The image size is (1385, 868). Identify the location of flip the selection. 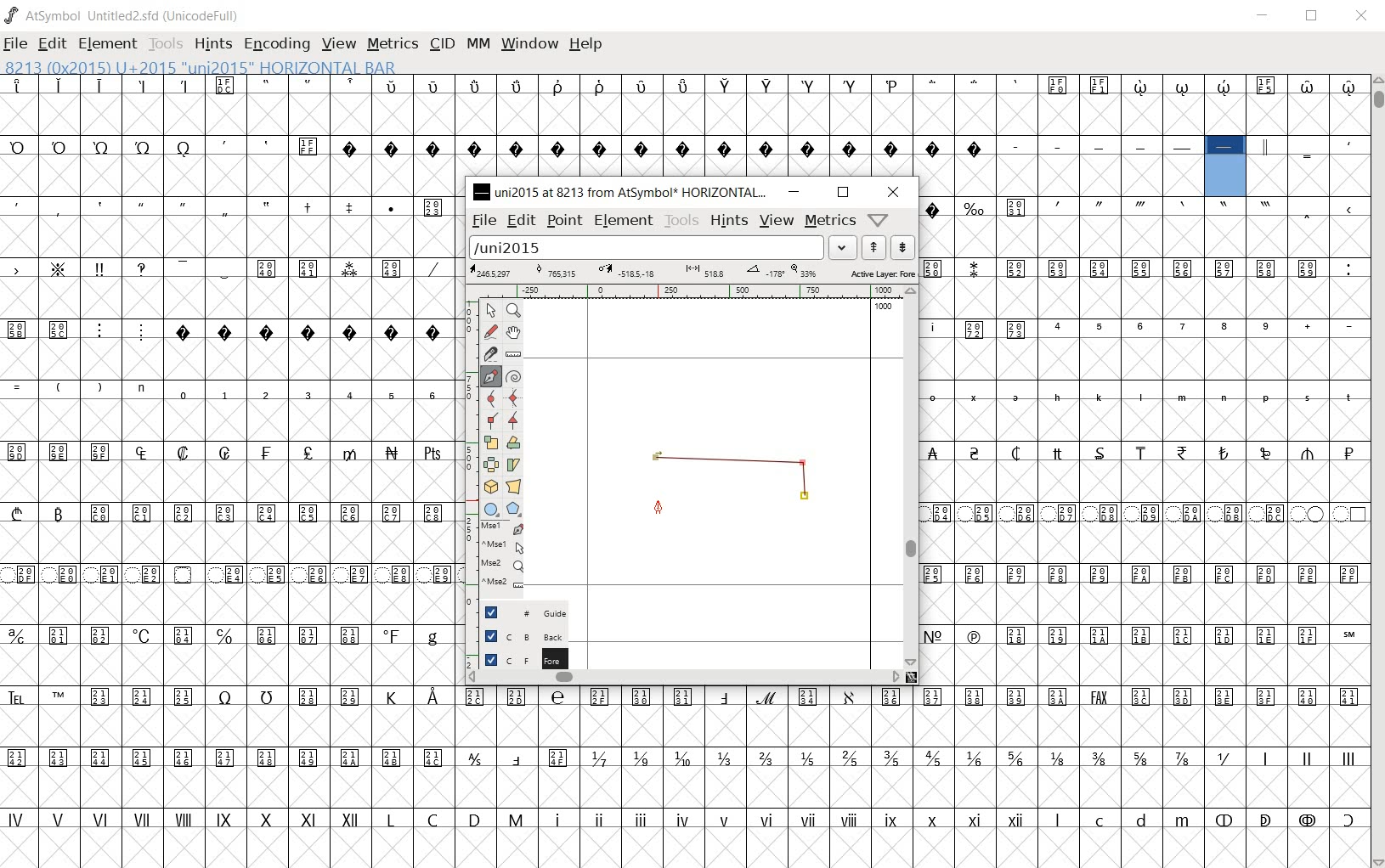
(490, 464).